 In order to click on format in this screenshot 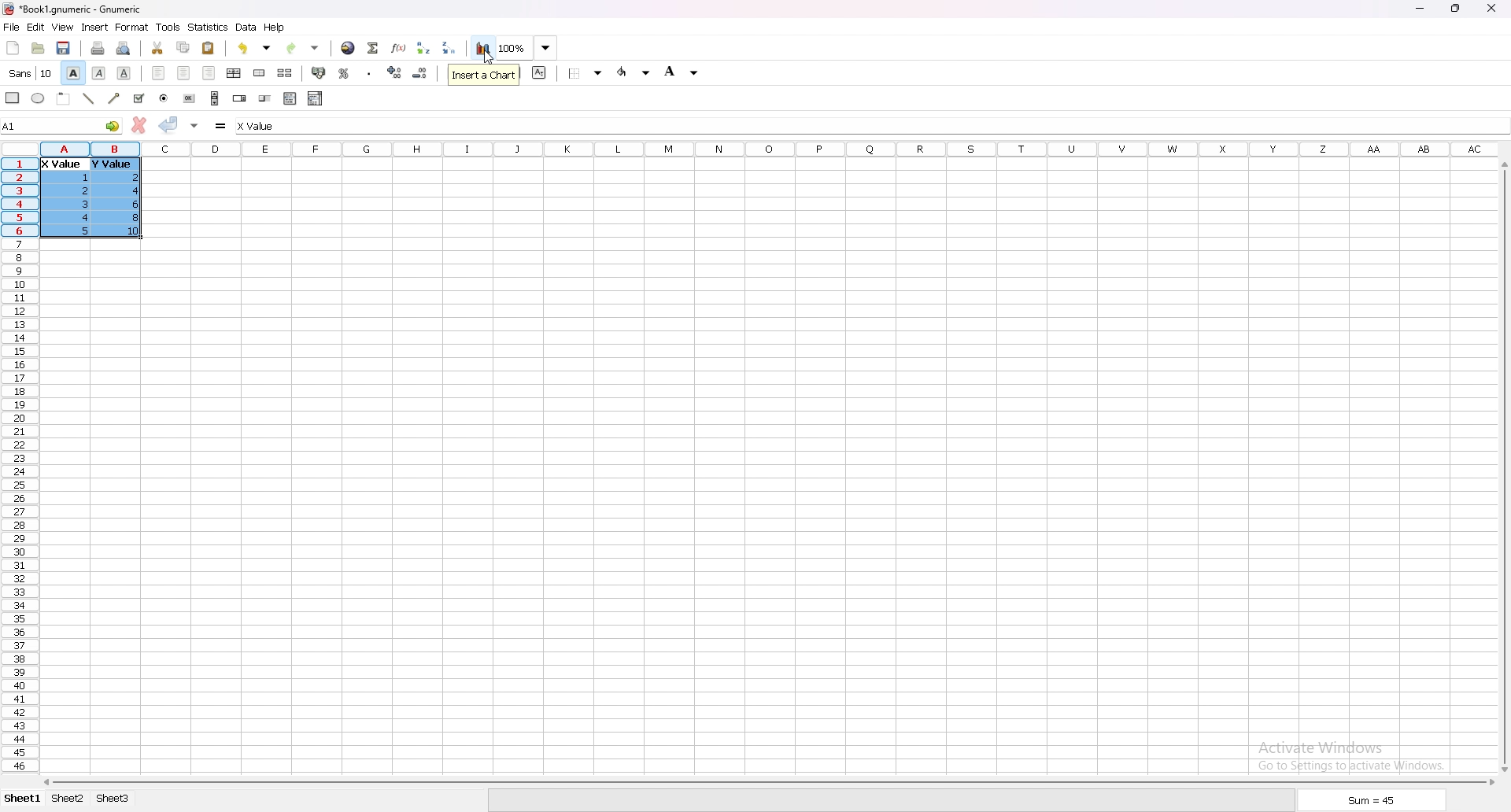, I will do `click(132, 27)`.